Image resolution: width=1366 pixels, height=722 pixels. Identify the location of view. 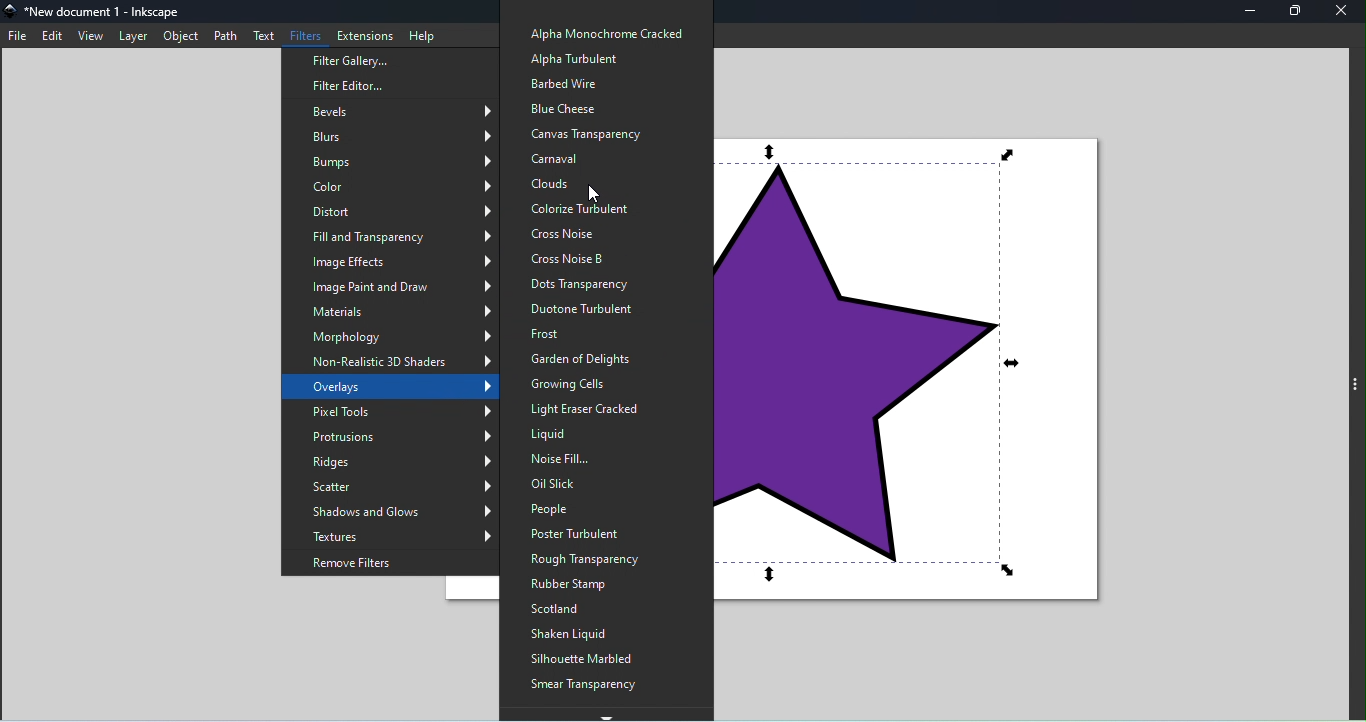
(90, 36).